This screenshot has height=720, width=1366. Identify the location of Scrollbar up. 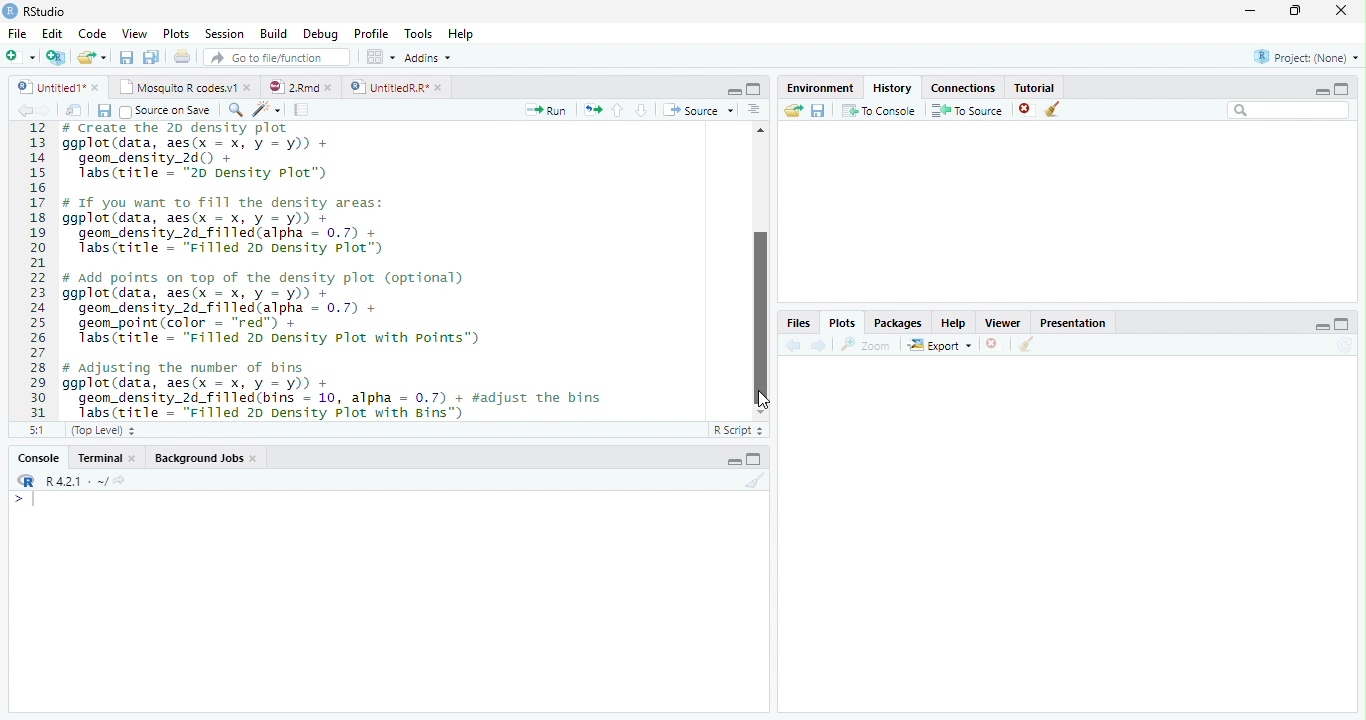
(758, 130).